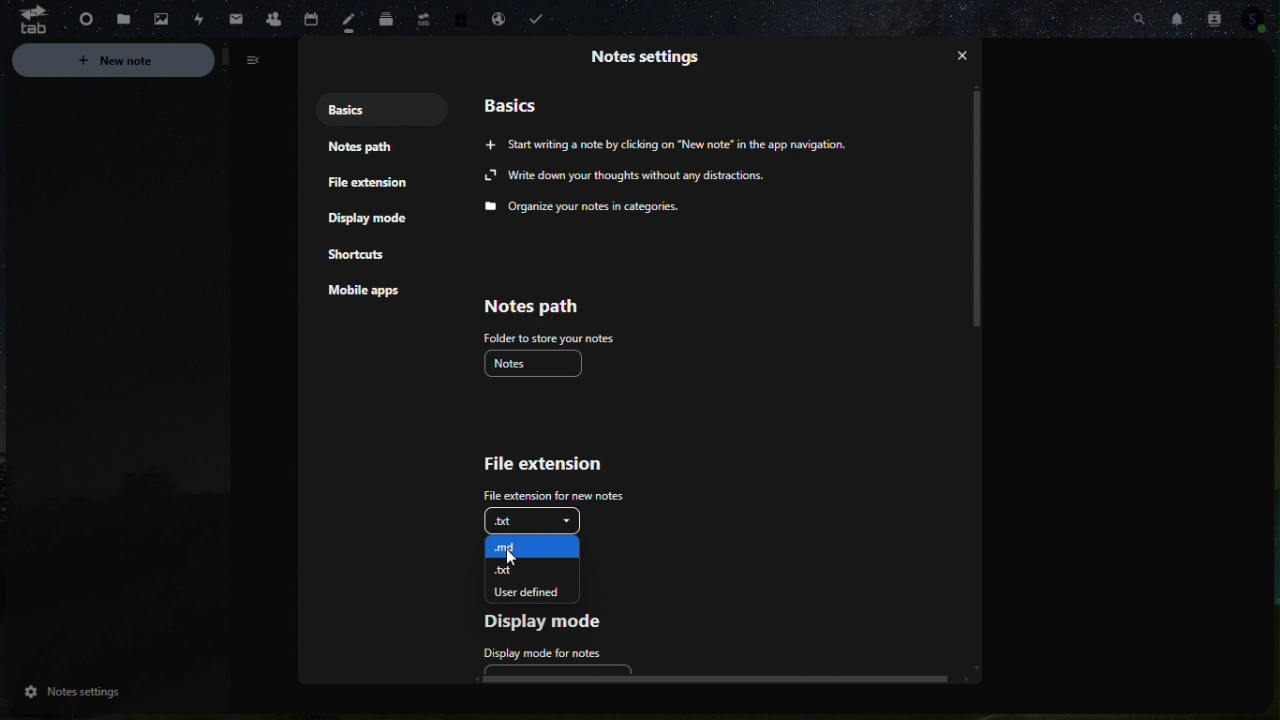 The image size is (1280, 720). What do you see at coordinates (535, 363) in the screenshot?
I see `notes` at bounding box center [535, 363].